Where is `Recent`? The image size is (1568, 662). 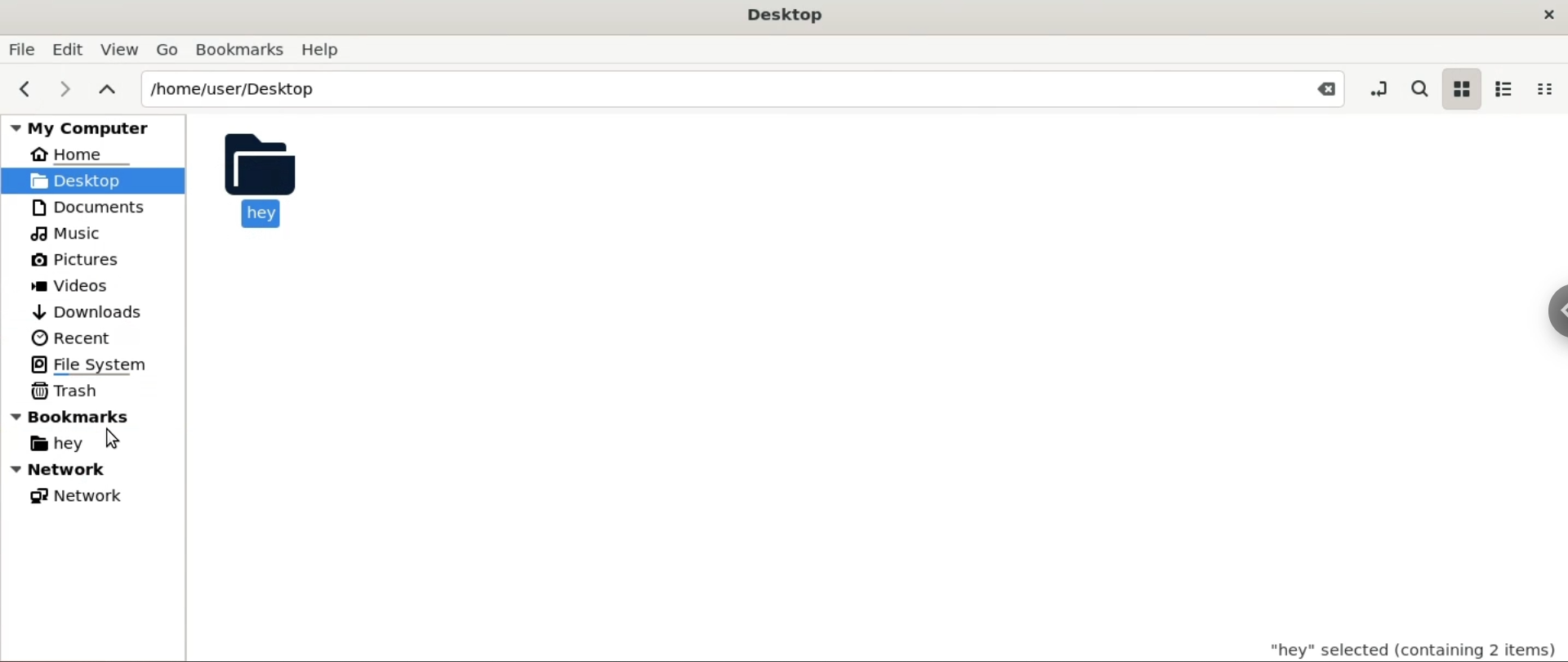 Recent is located at coordinates (69, 337).